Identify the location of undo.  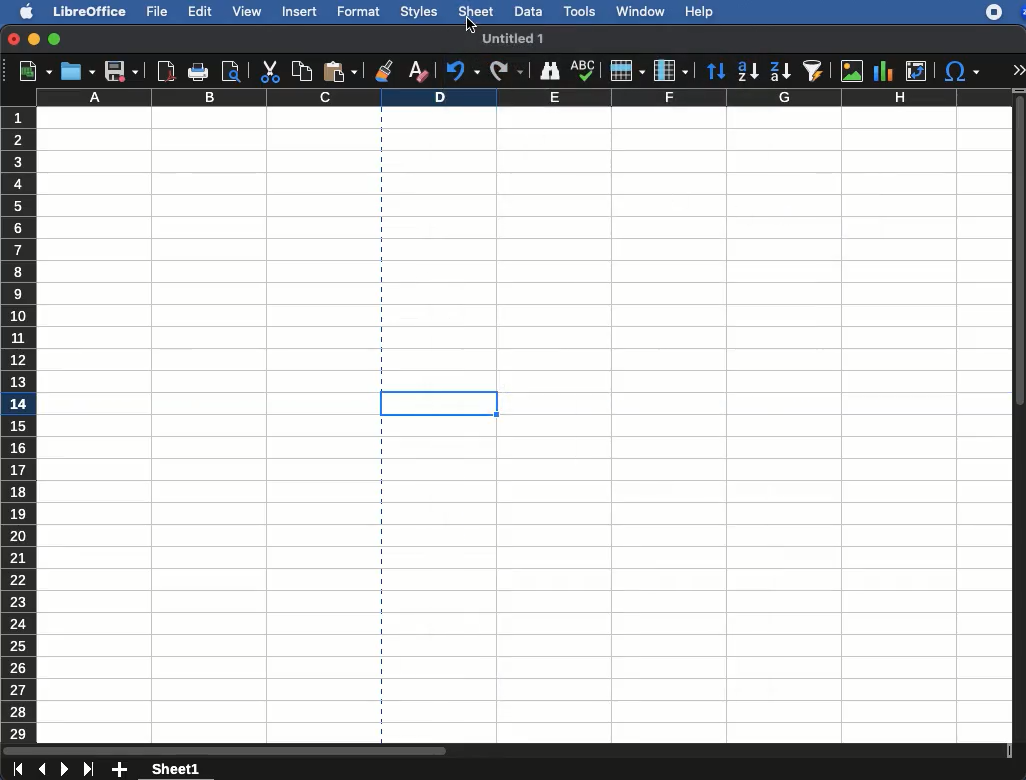
(461, 70).